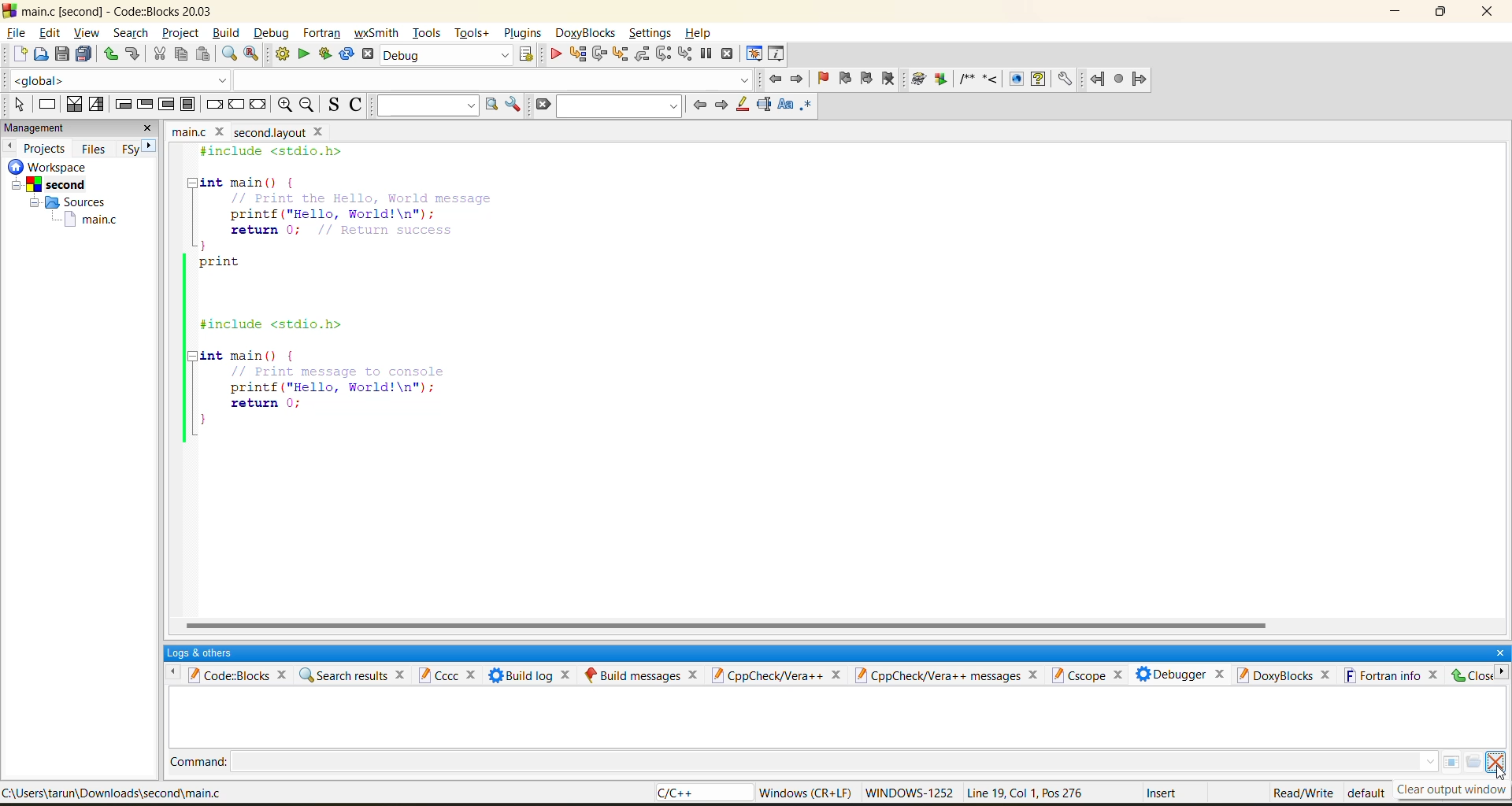  I want to click on edit, so click(50, 32).